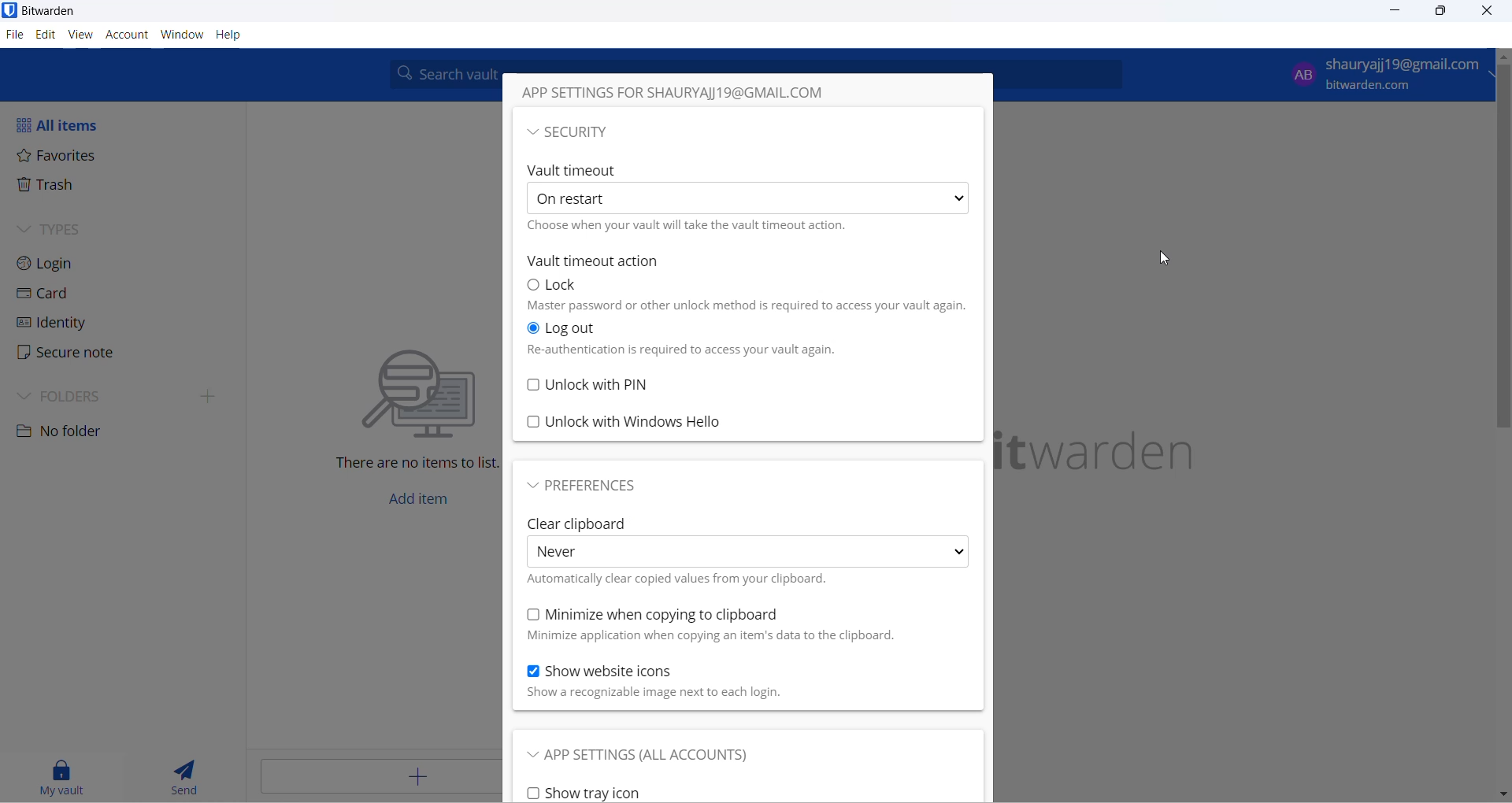 The image size is (1512, 803). What do you see at coordinates (560, 287) in the screenshot?
I see `Lock` at bounding box center [560, 287].